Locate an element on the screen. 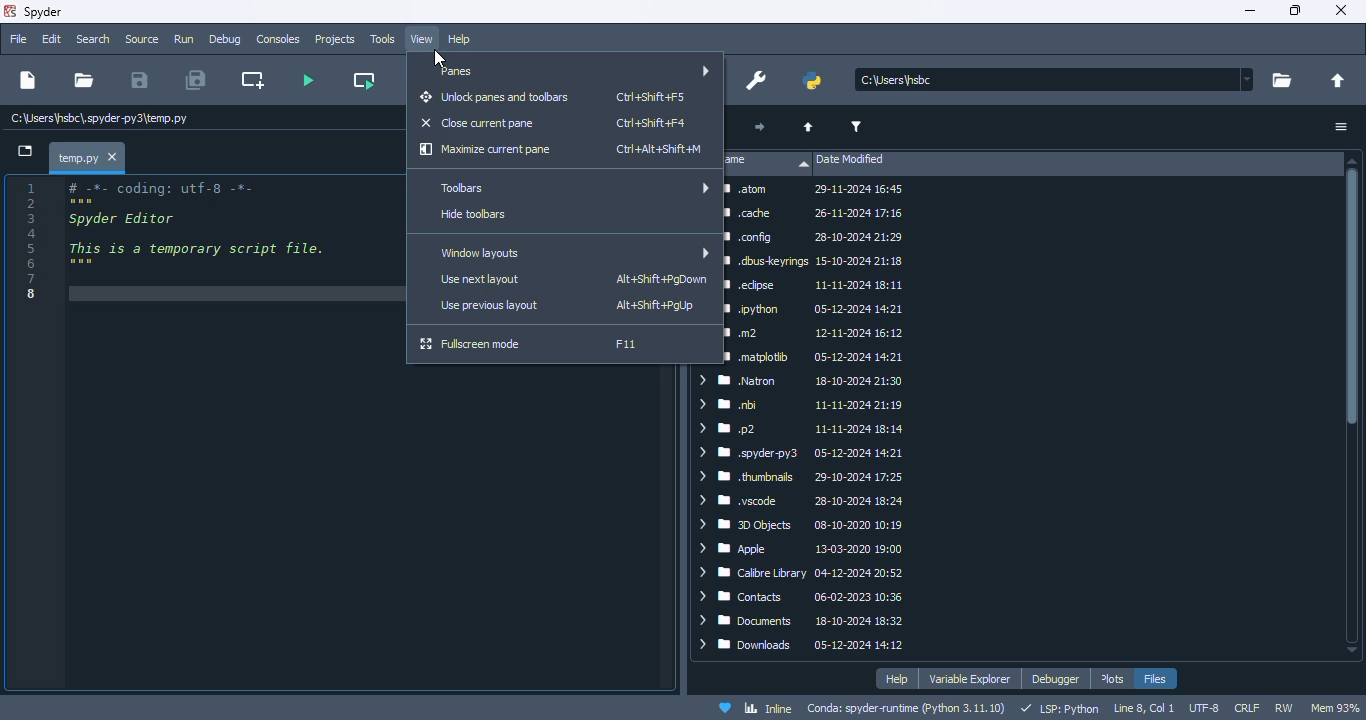 The height and width of the screenshot is (720, 1366). .config is located at coordinates (819, 238).